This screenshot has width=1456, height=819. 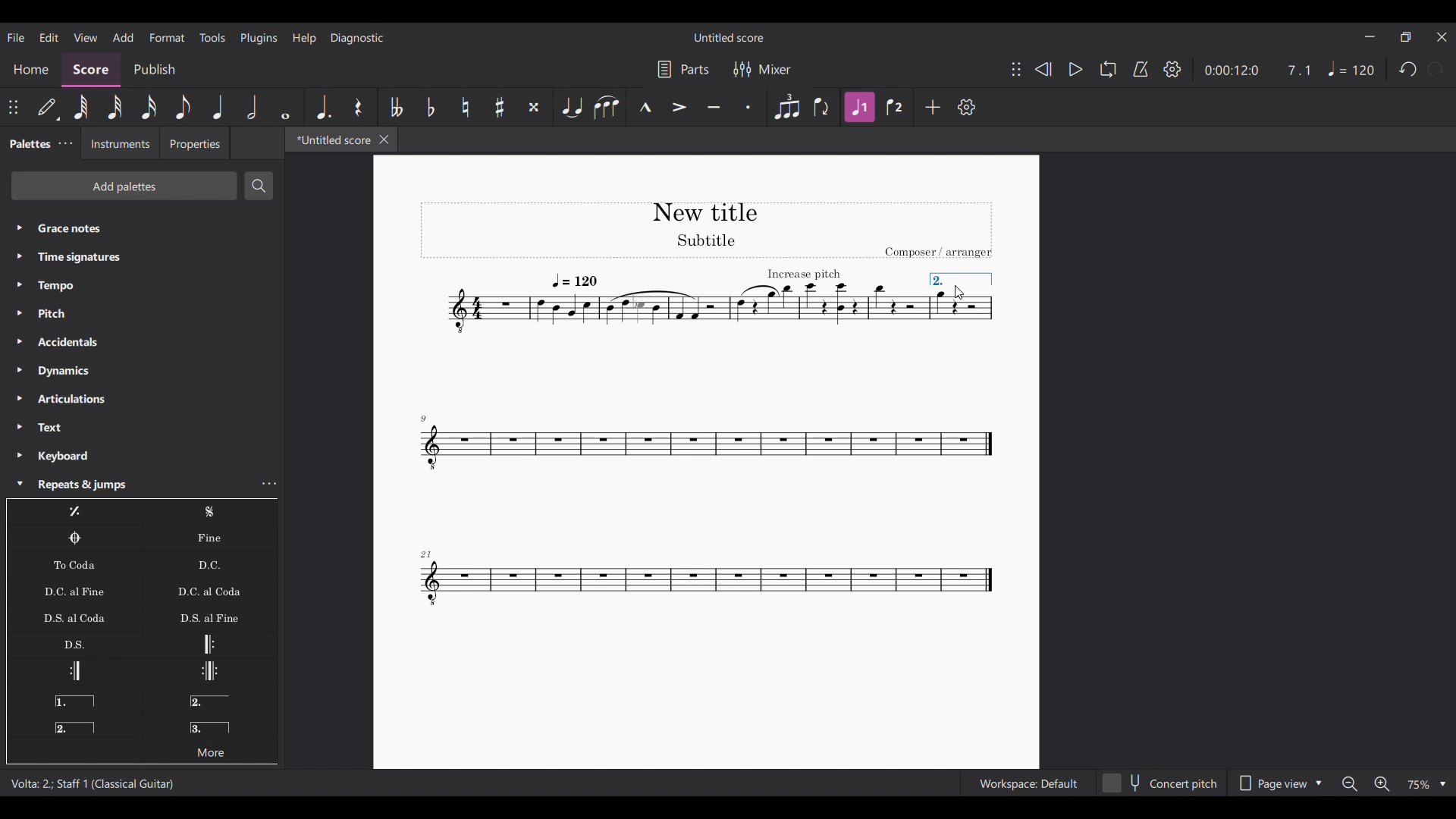 What do you see at coordinates (748, 107) in the screenshot?
I see `Staccato` at bounding box center [748, 107].